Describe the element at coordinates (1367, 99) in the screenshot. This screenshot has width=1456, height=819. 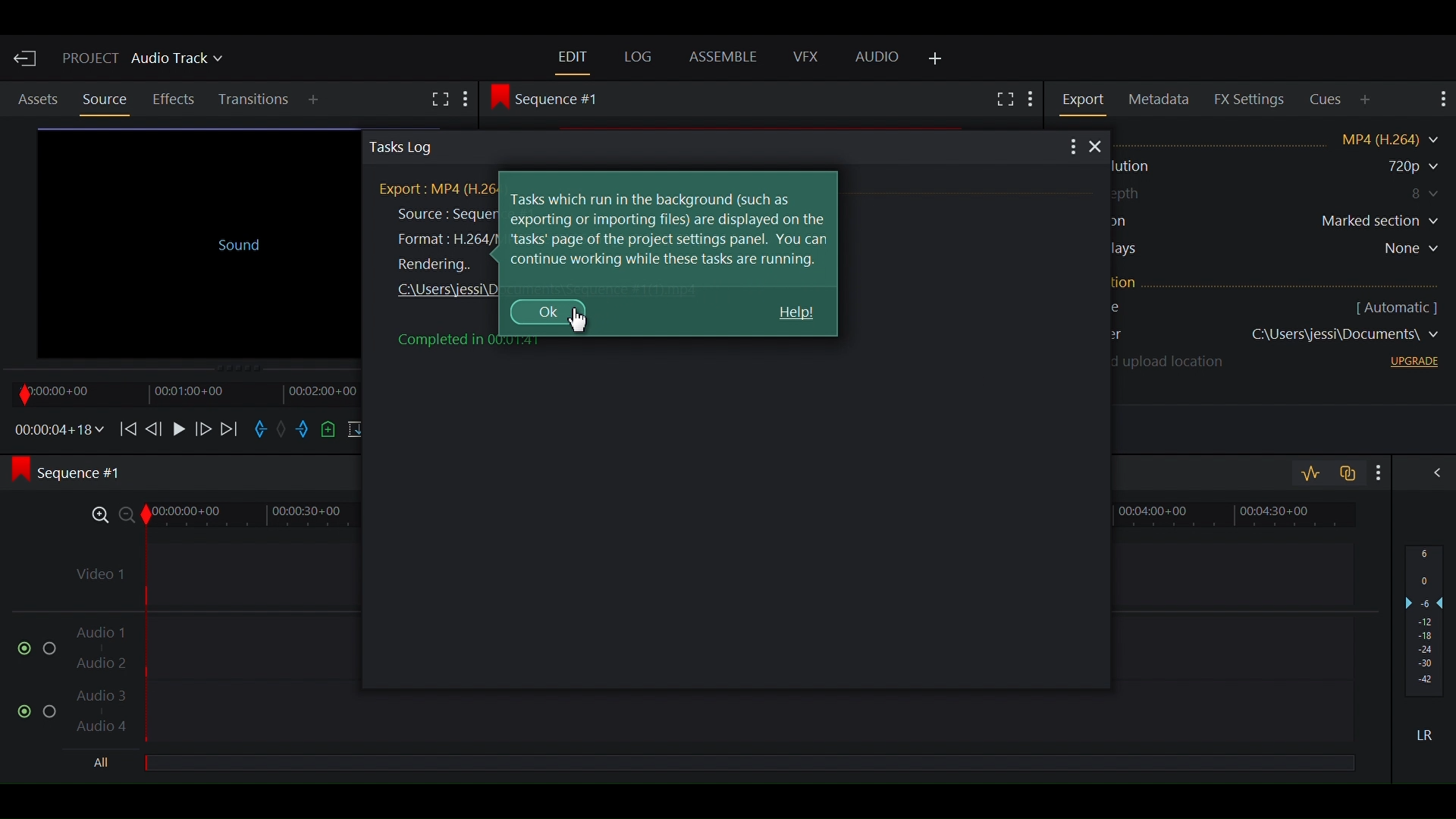
I see `Add Panel` at that location.